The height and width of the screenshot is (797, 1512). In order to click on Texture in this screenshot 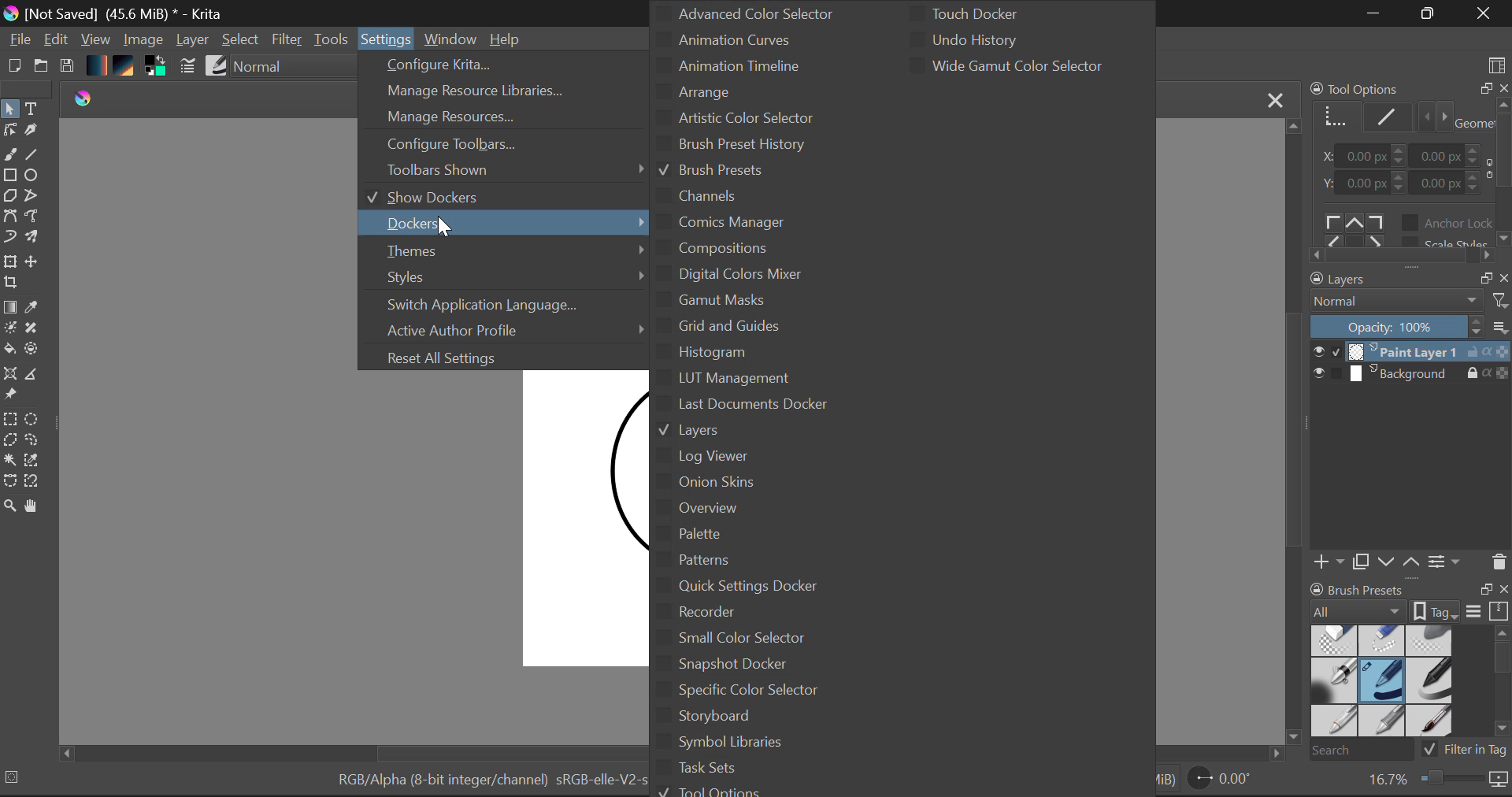, I will do `click(128, 68)`.